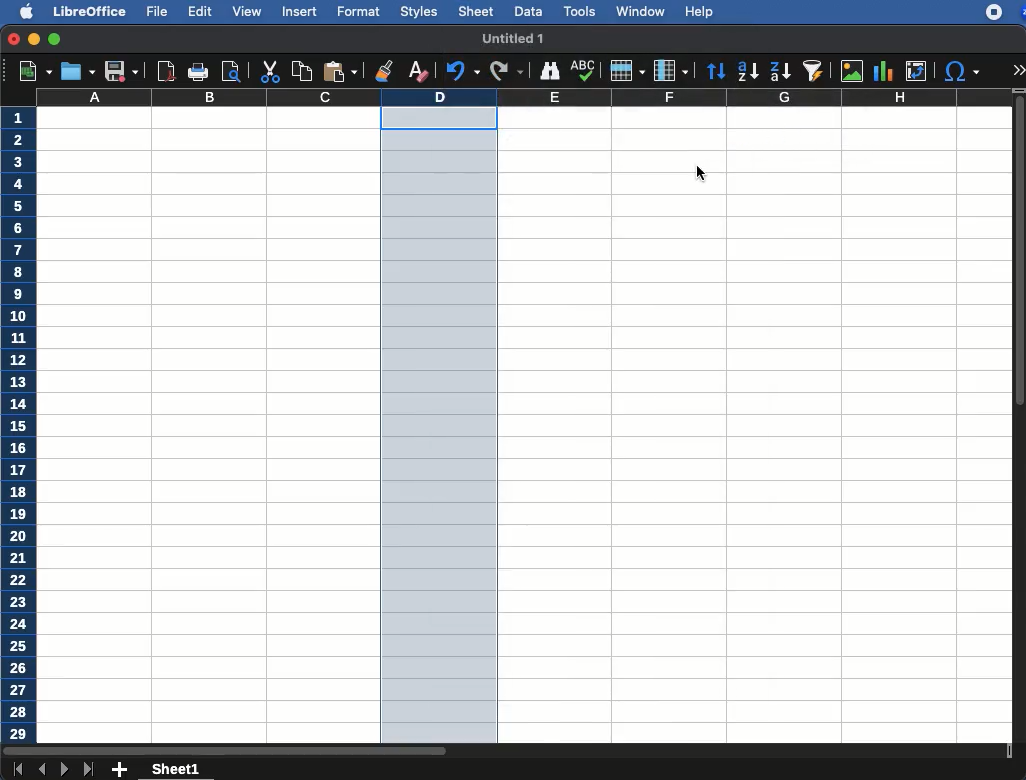 This screenshot has width=1026, height=780. What do you see at coordinates (339, 72) in the screenshot?
I see `paste` at bounding box center [339, 72].